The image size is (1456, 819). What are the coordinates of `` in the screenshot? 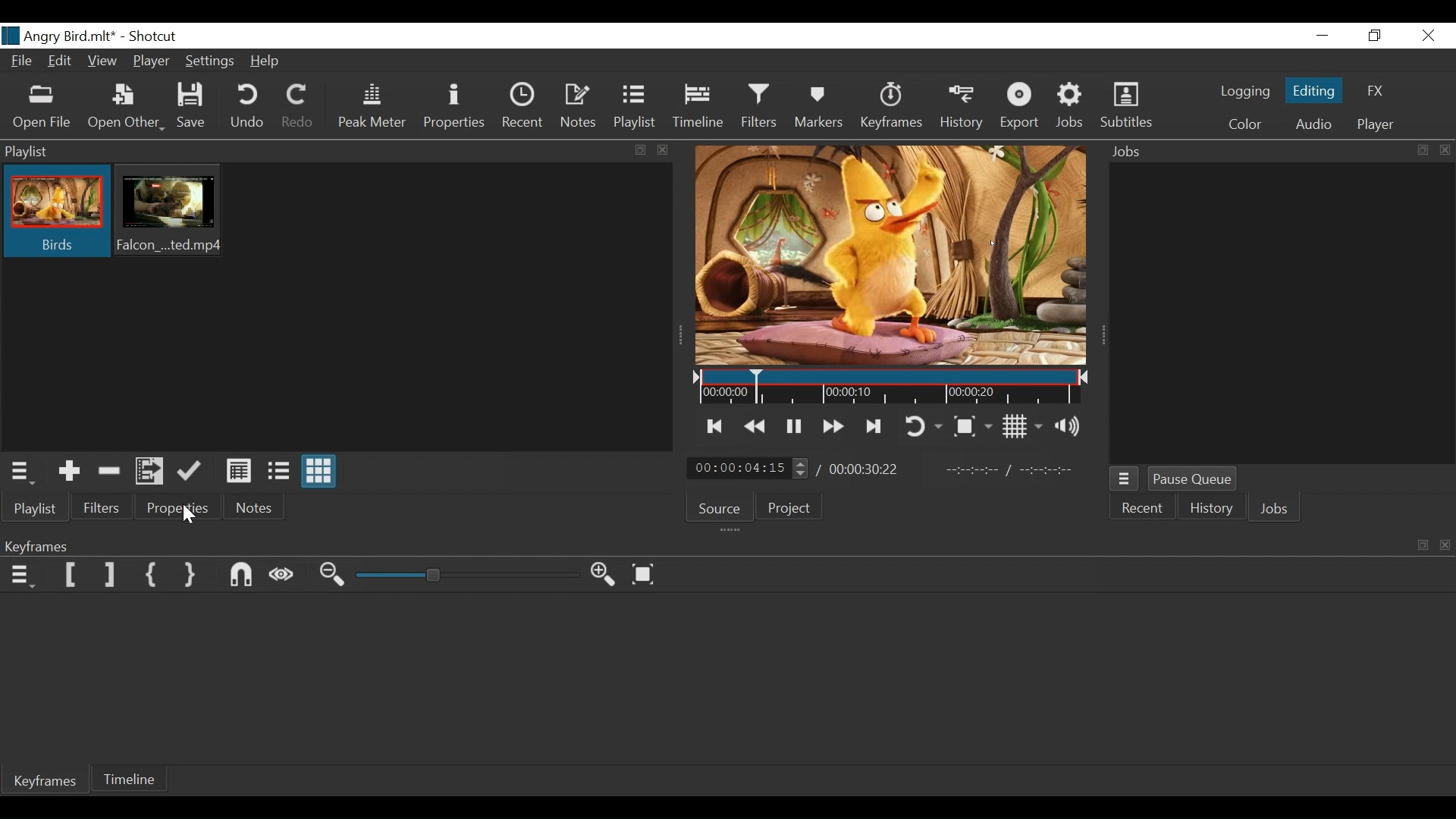 It's located at (715, 506).